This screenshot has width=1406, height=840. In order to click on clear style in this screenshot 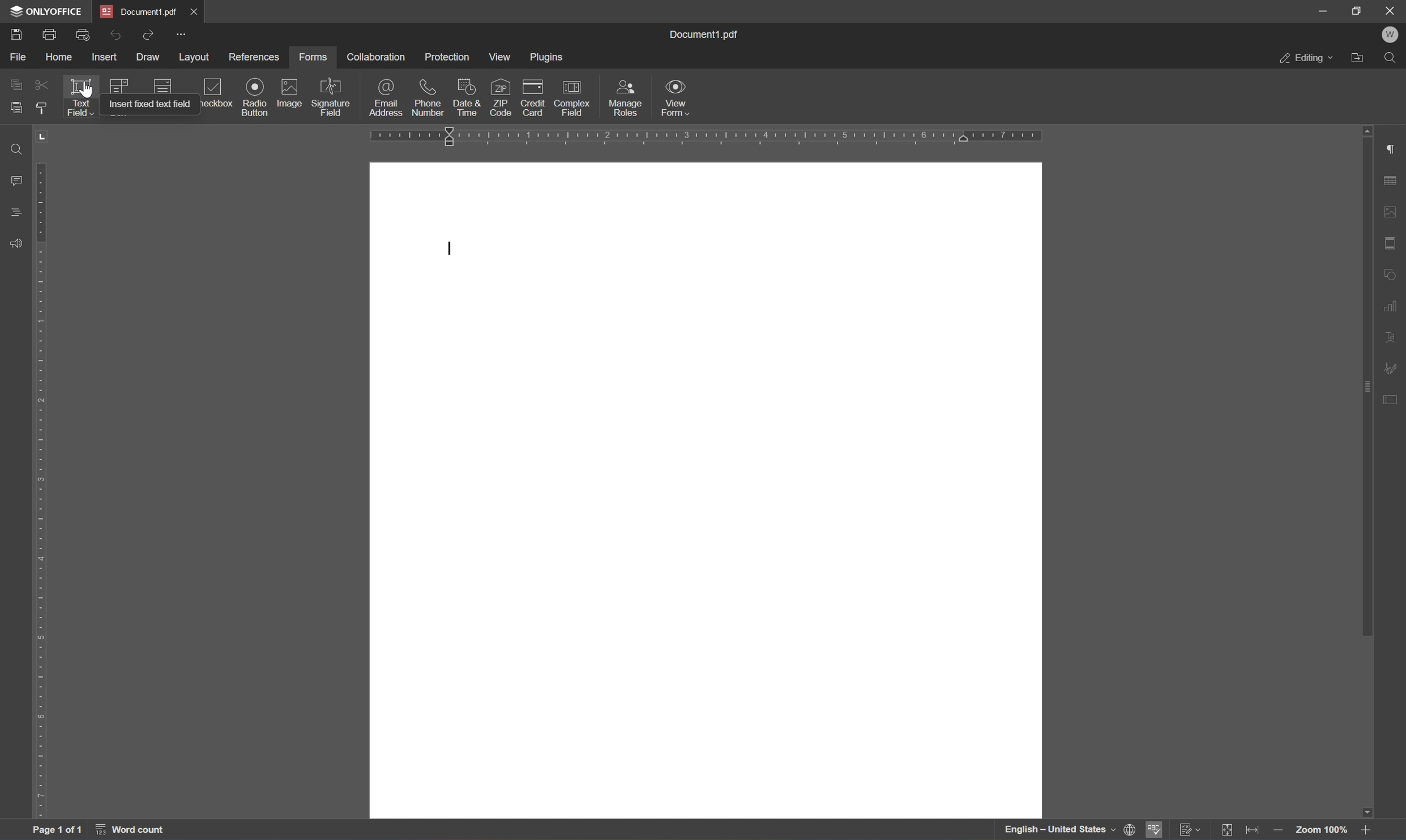, I will do `click(43, 109)`.